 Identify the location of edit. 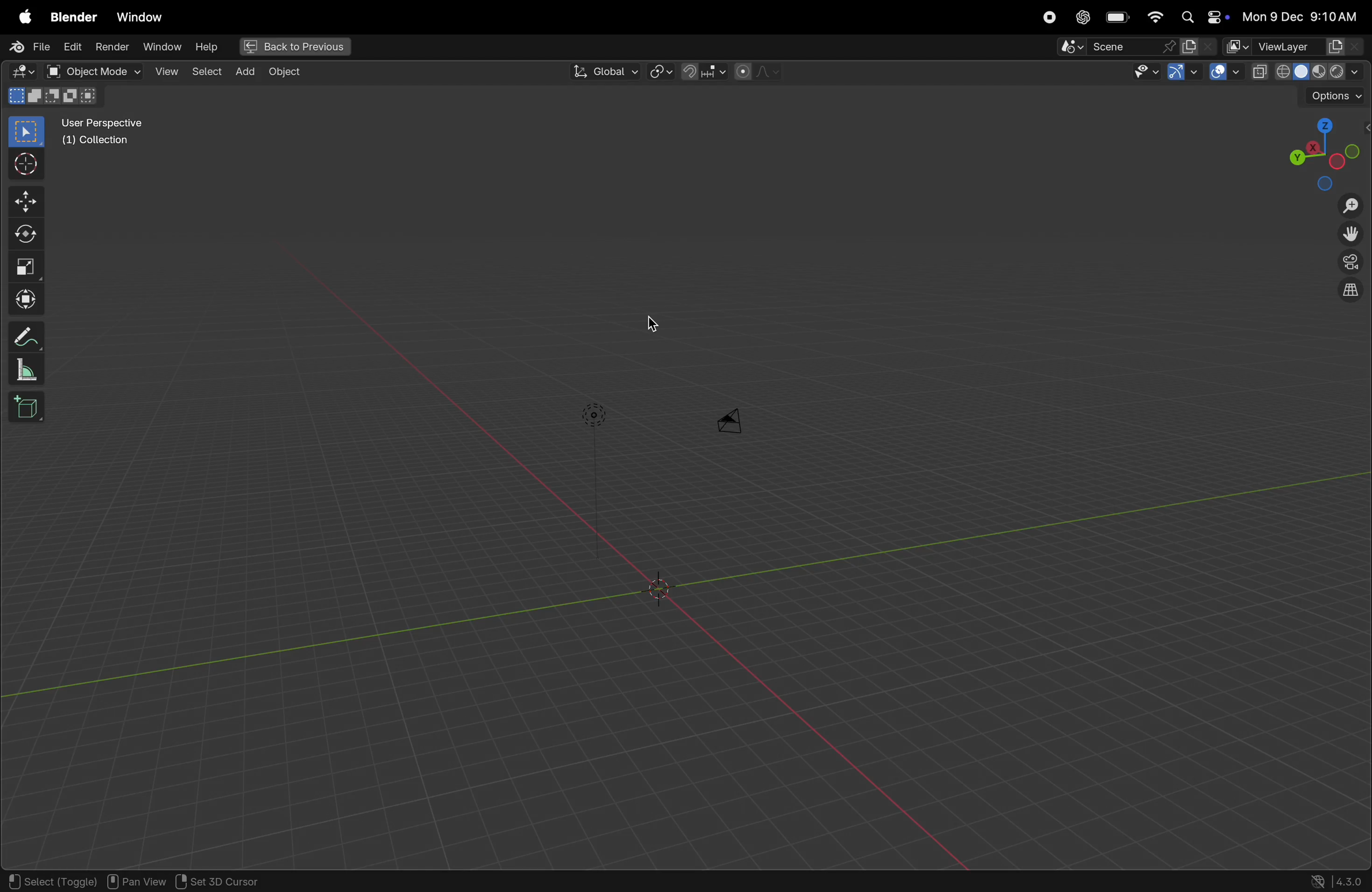
(70, 46).